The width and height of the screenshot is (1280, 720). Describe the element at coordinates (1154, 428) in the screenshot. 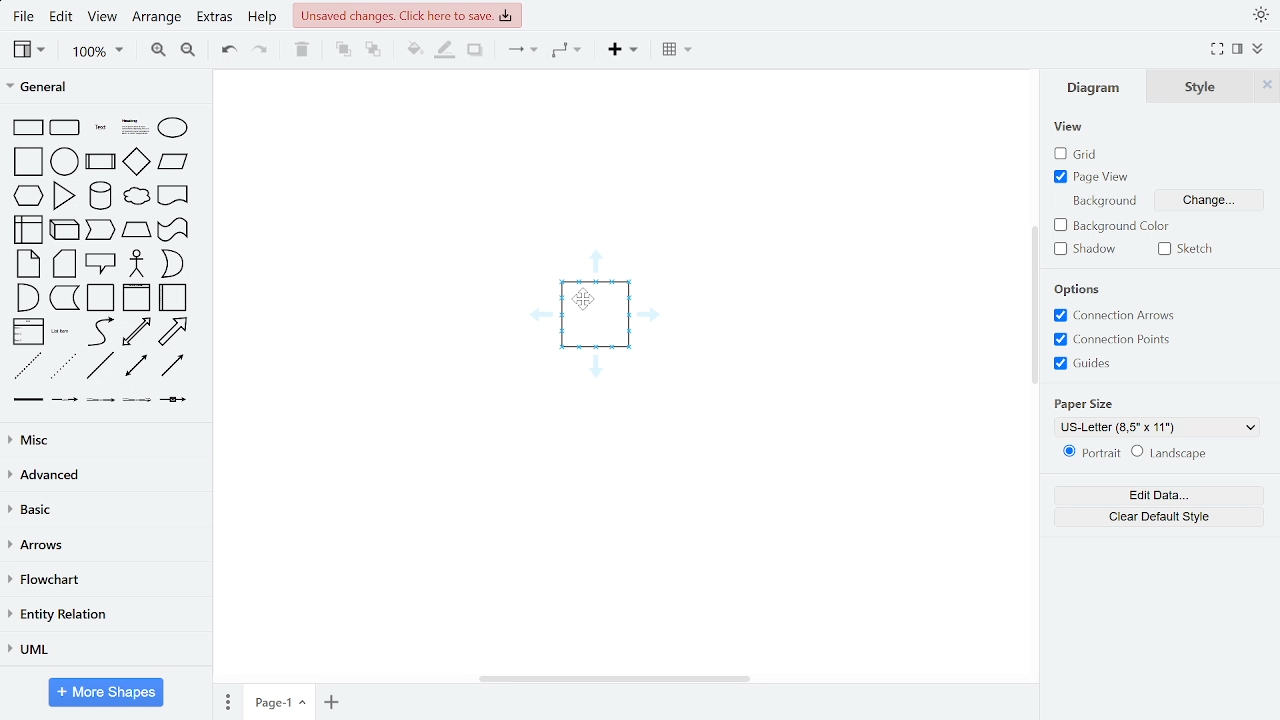

I see `US-Letter (8,5 x 11")` at that location.